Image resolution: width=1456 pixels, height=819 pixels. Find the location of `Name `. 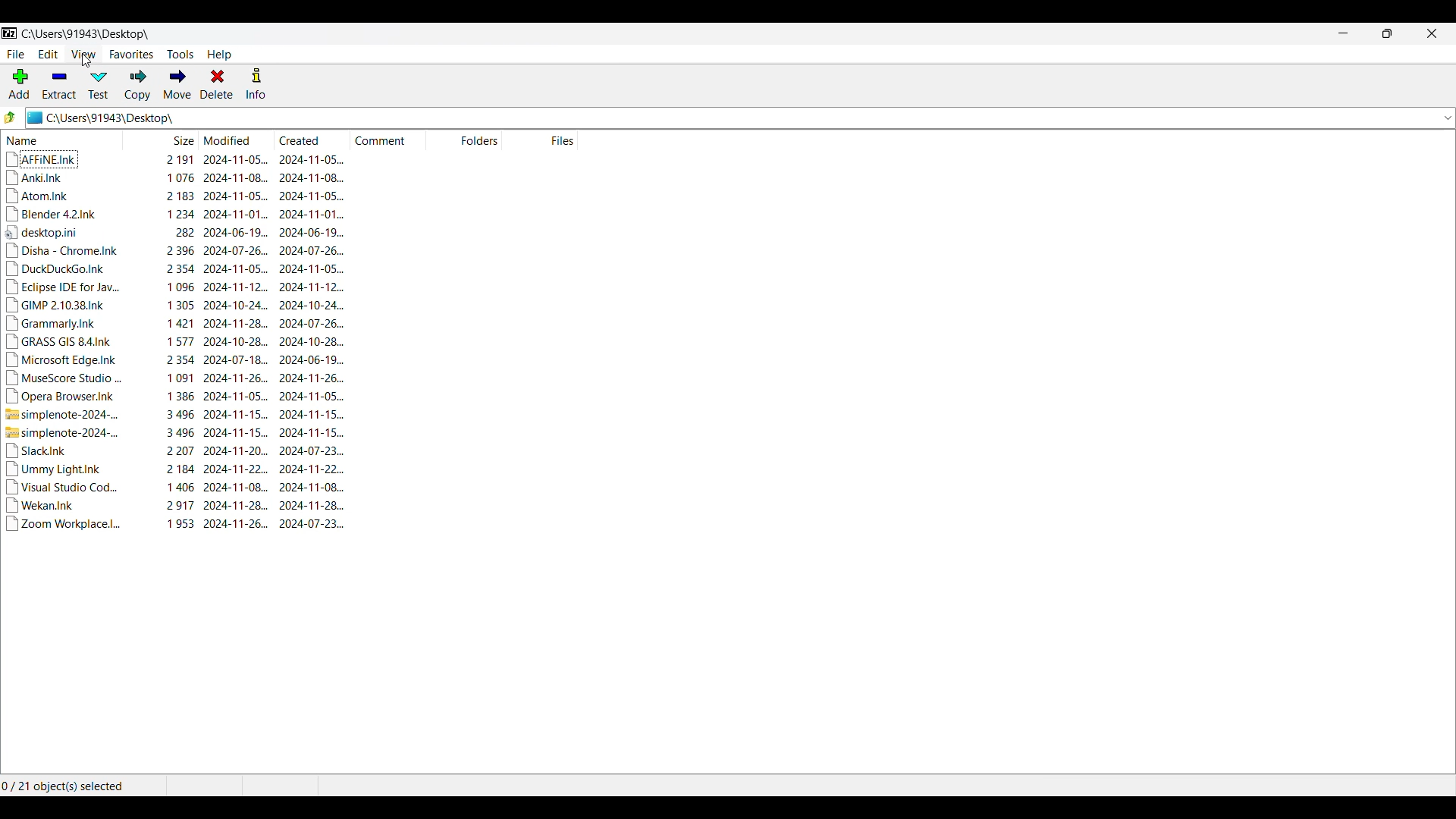

Name  is located at coordinates (61, 140).